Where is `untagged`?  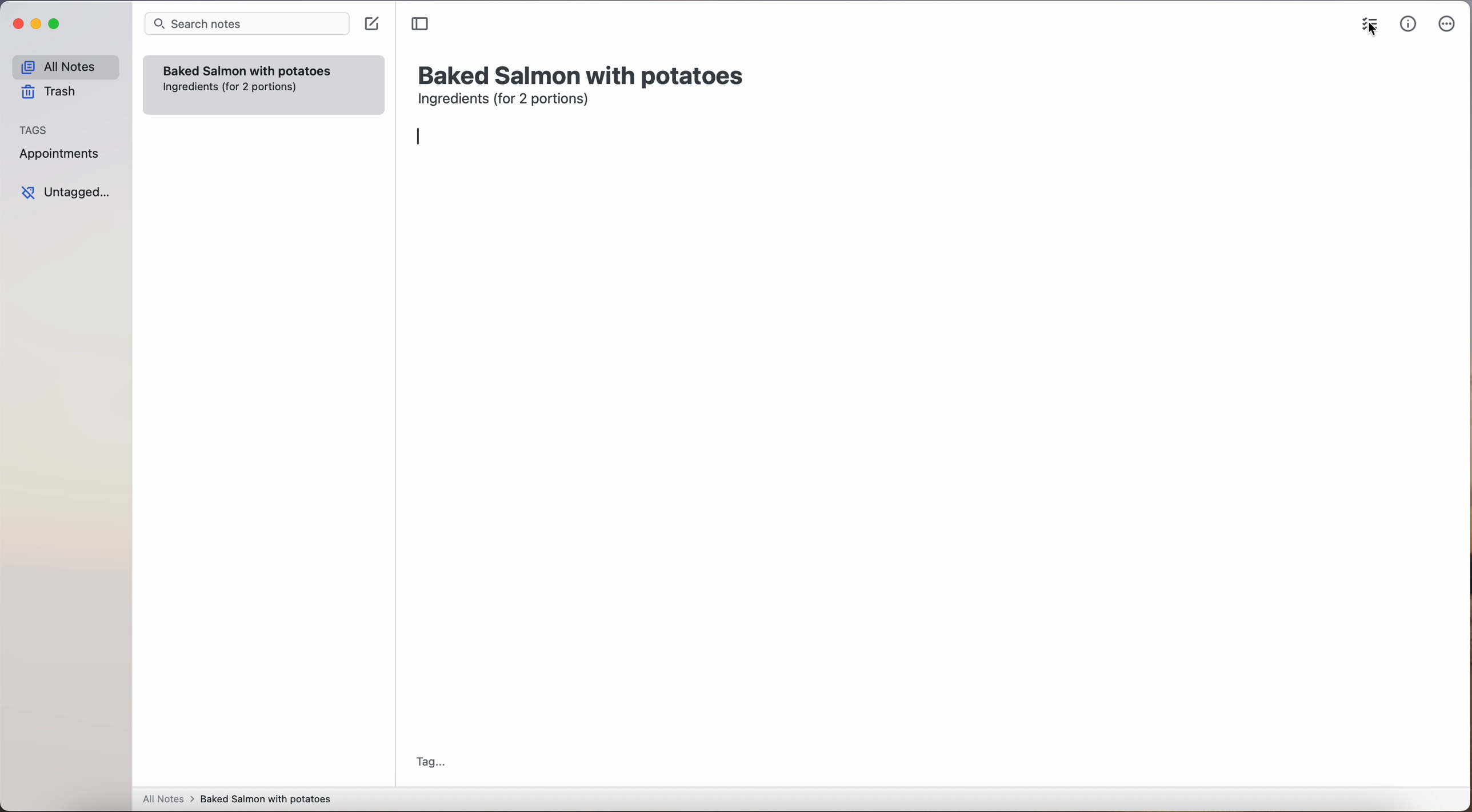 untagged is located at coordinates (67, 192).